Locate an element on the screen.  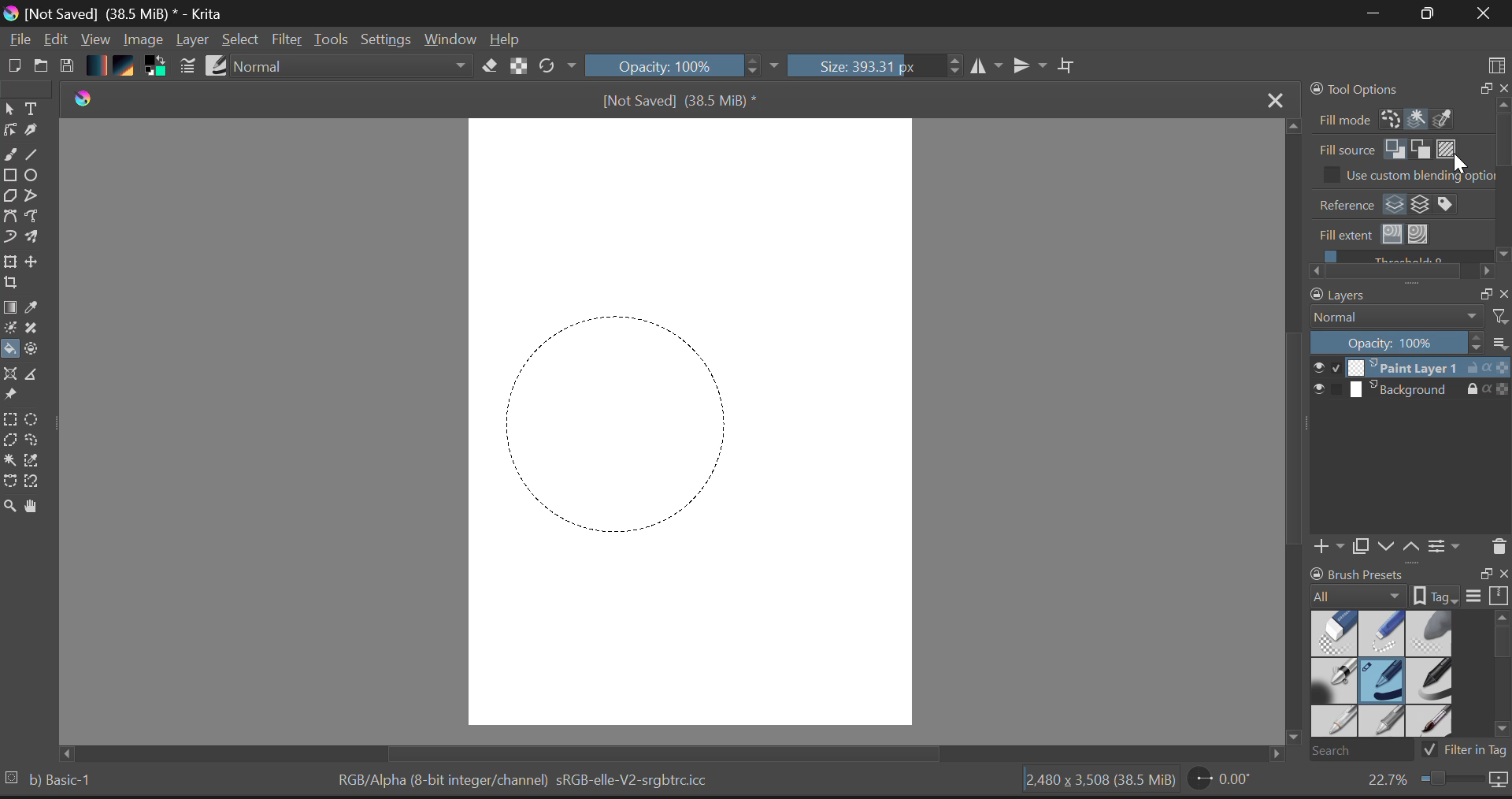
View is located at coordinates (96, 41).